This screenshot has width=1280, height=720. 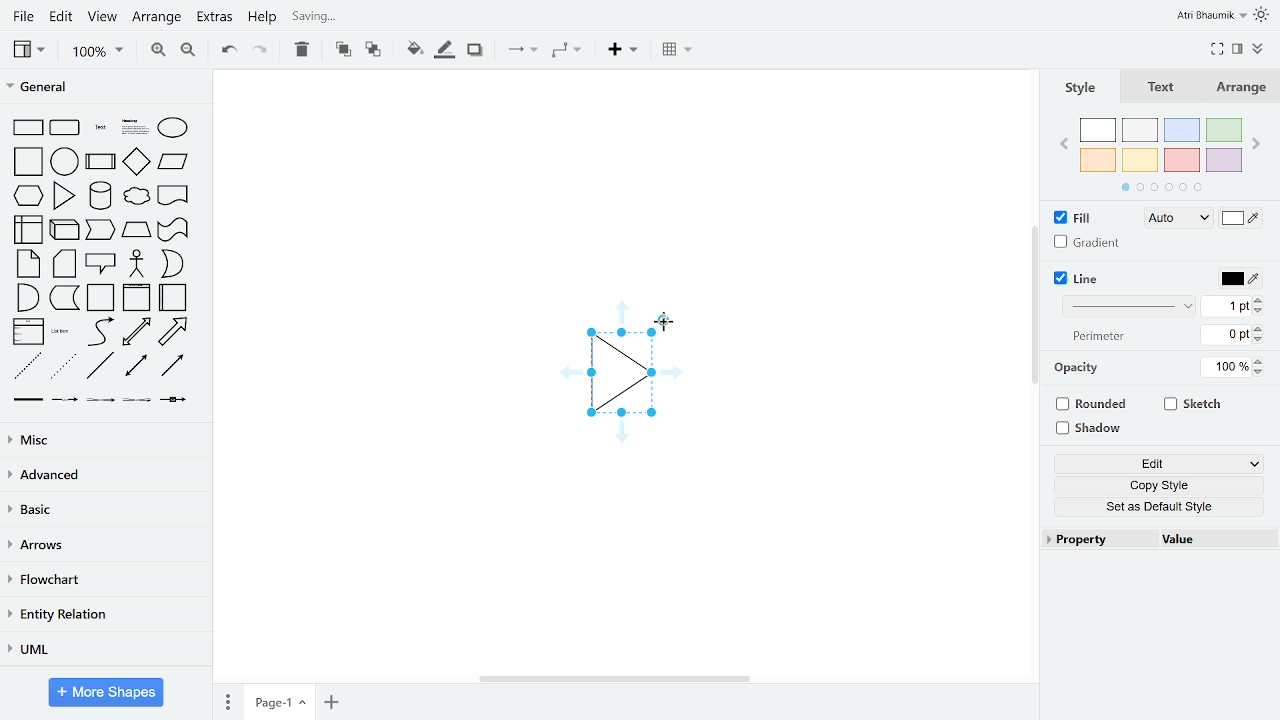 What do you see at coordinates (104, 580) in the screenshot?
I see `flowchart` at bounding box center [104, 580].